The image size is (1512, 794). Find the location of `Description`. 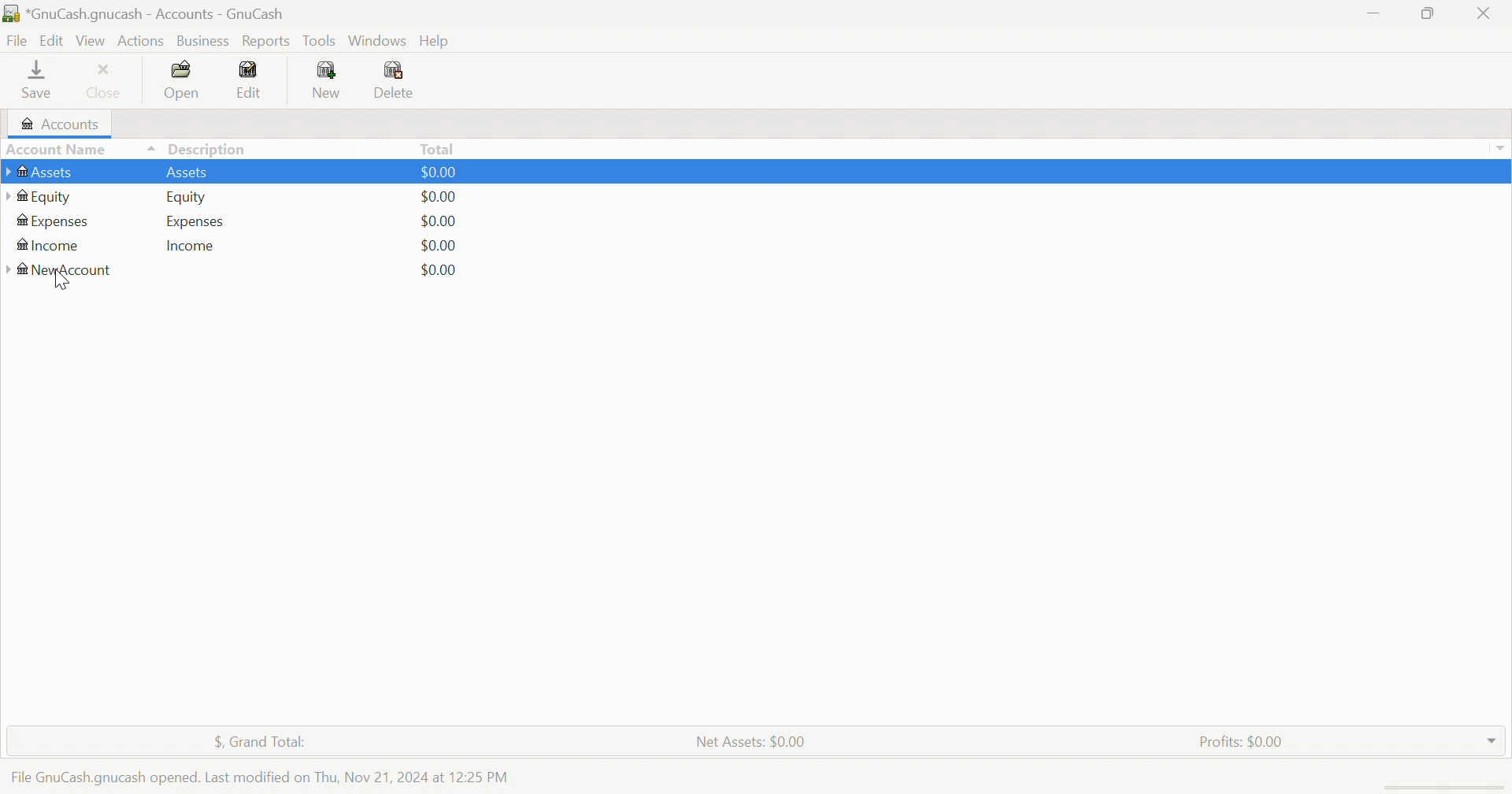

Description is located at coordinates (208, 150).